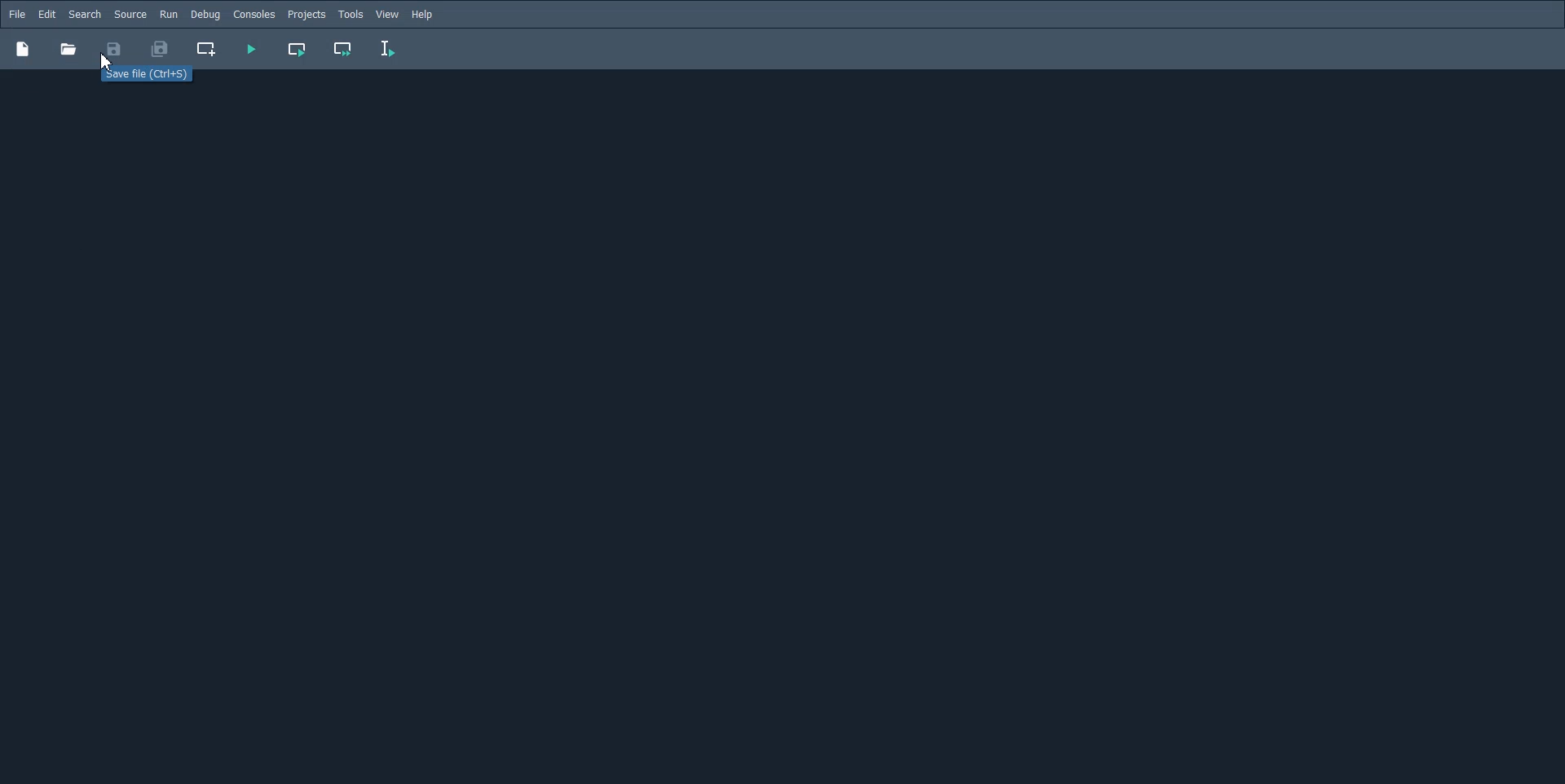 Image resolution: width=1565 pixels, height=784 pixels. I want to click on New file, so click(22, 48).